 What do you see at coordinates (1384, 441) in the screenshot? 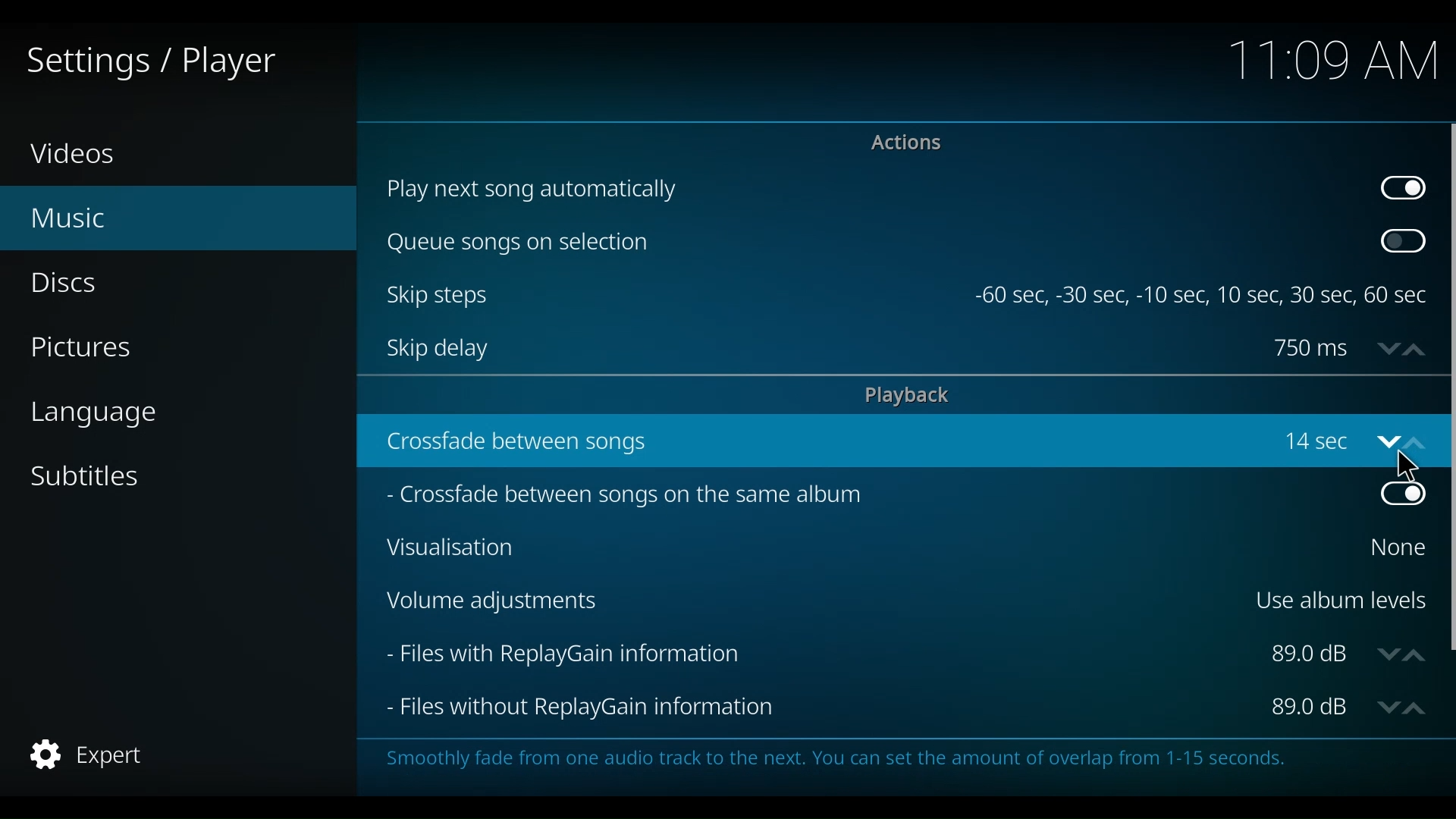
I see `down` at bounding box center [1384, 441].